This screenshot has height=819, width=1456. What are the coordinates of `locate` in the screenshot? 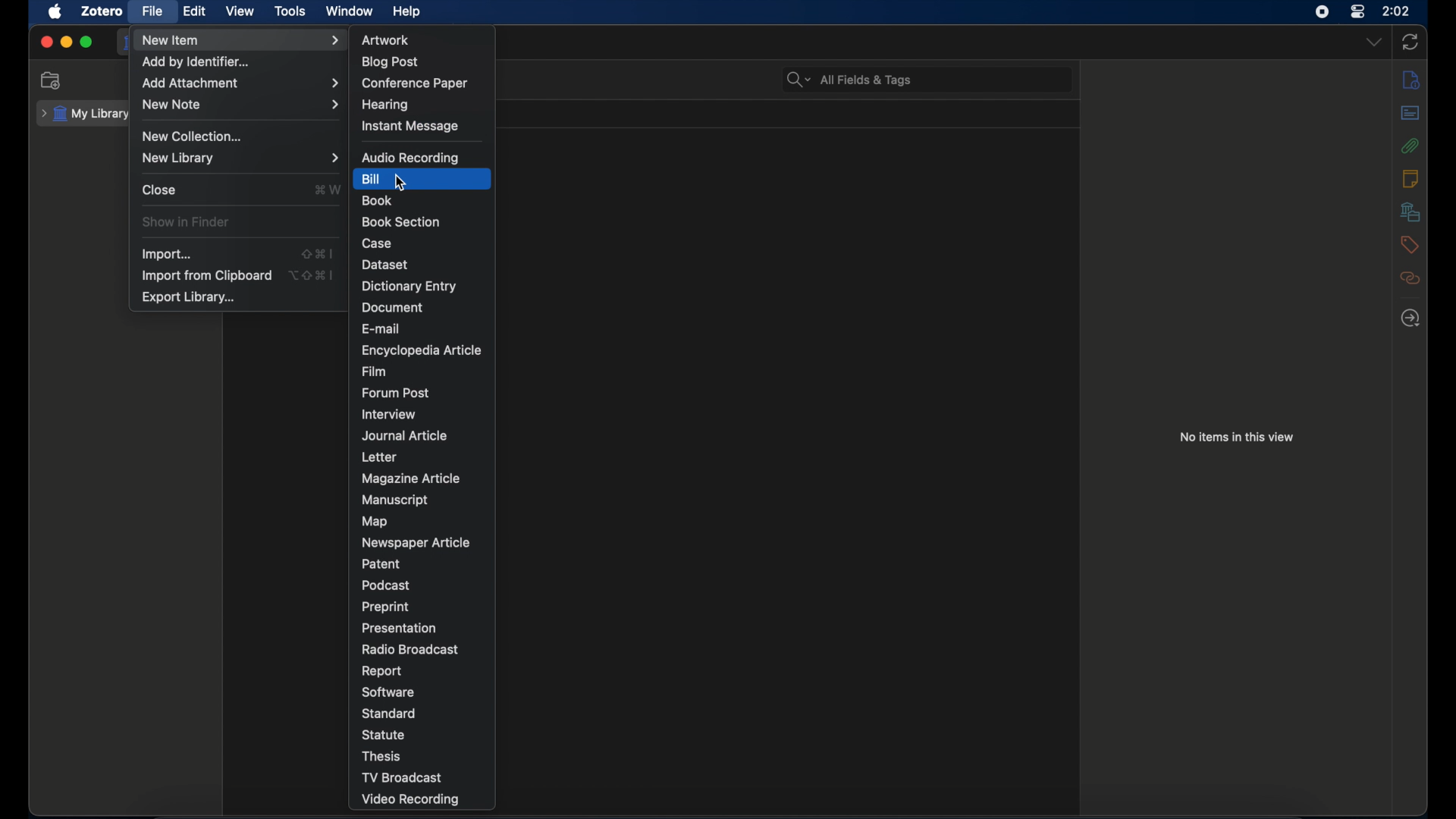 It's located at (1412, 318).